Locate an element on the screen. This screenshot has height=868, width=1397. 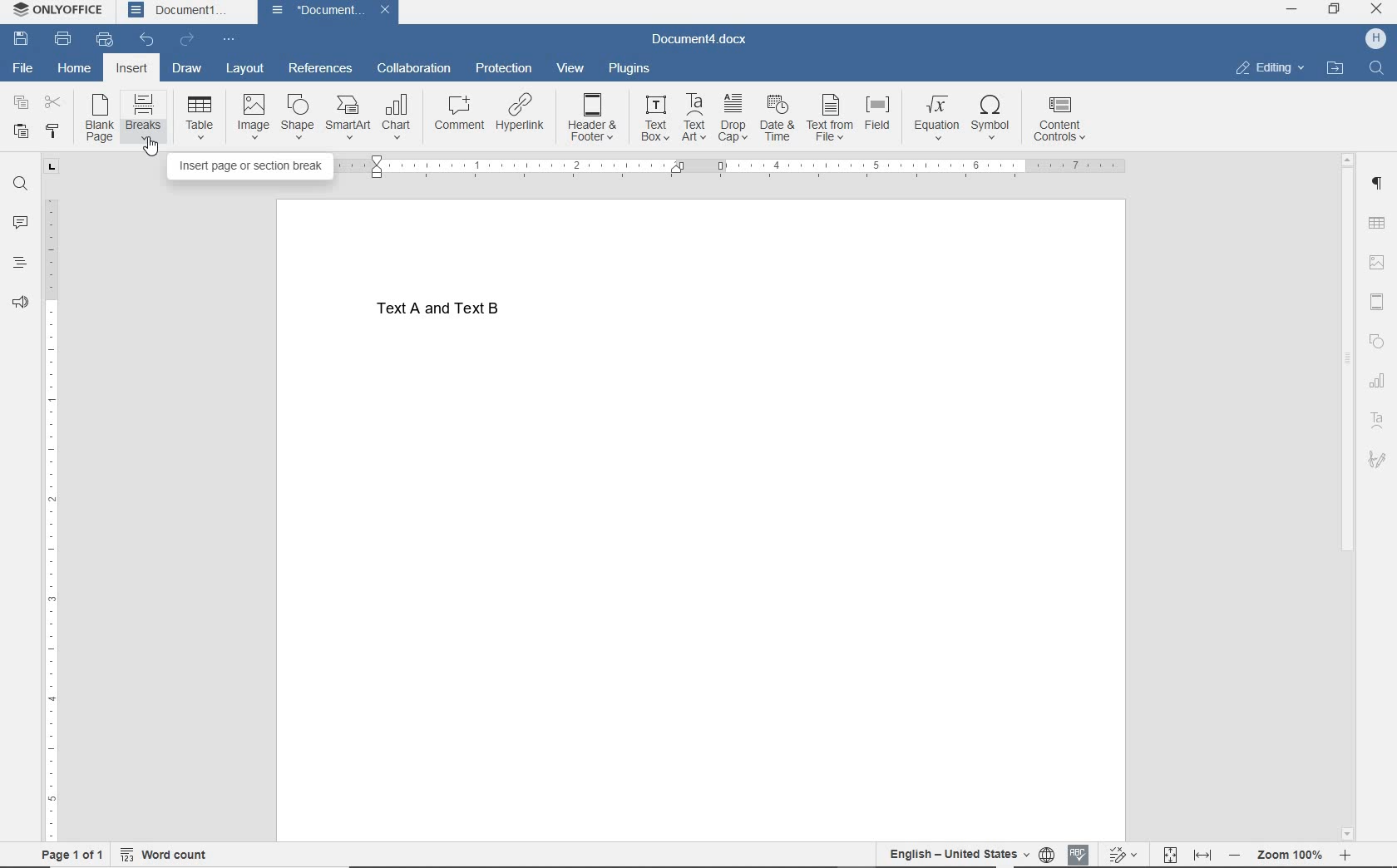
HEADER & FOOTER is located at coordinates (1377, 302).